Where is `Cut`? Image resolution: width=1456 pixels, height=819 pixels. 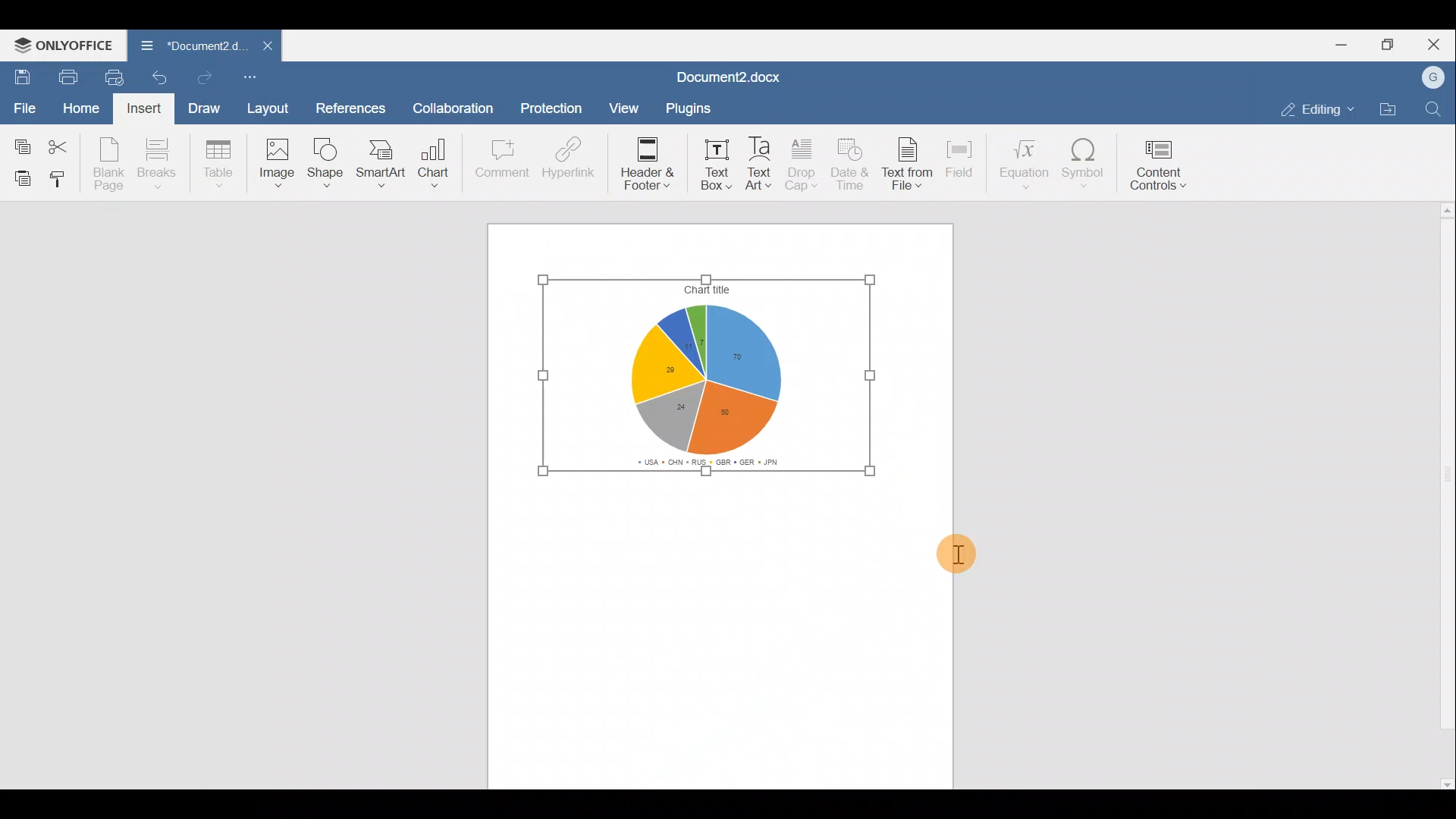 Cut is located at coordinates (59, 146).